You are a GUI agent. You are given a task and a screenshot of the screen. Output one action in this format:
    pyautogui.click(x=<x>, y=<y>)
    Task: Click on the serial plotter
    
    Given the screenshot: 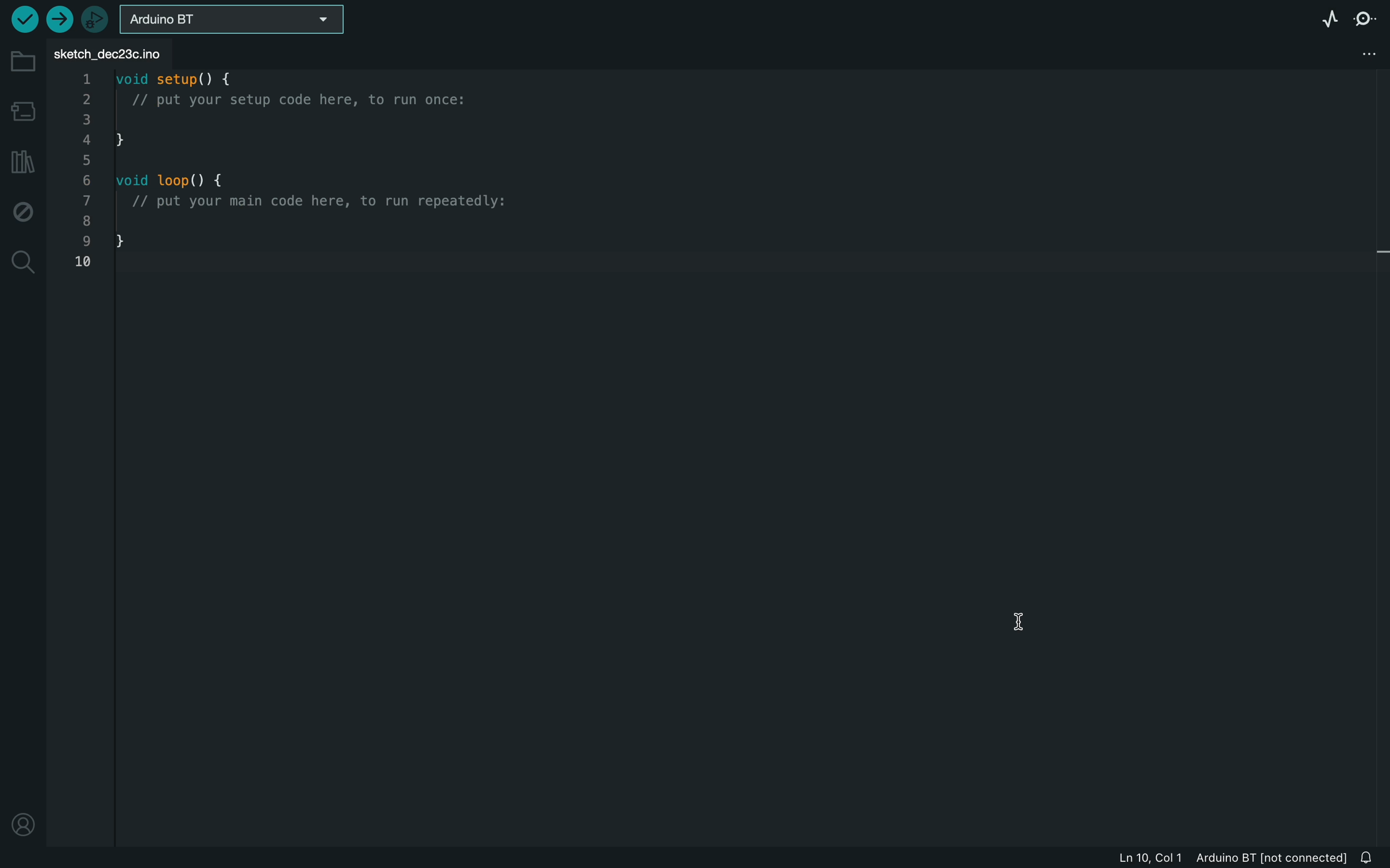 What is the action you would take?
    pyautogui.click(x=1320, y=17)
    